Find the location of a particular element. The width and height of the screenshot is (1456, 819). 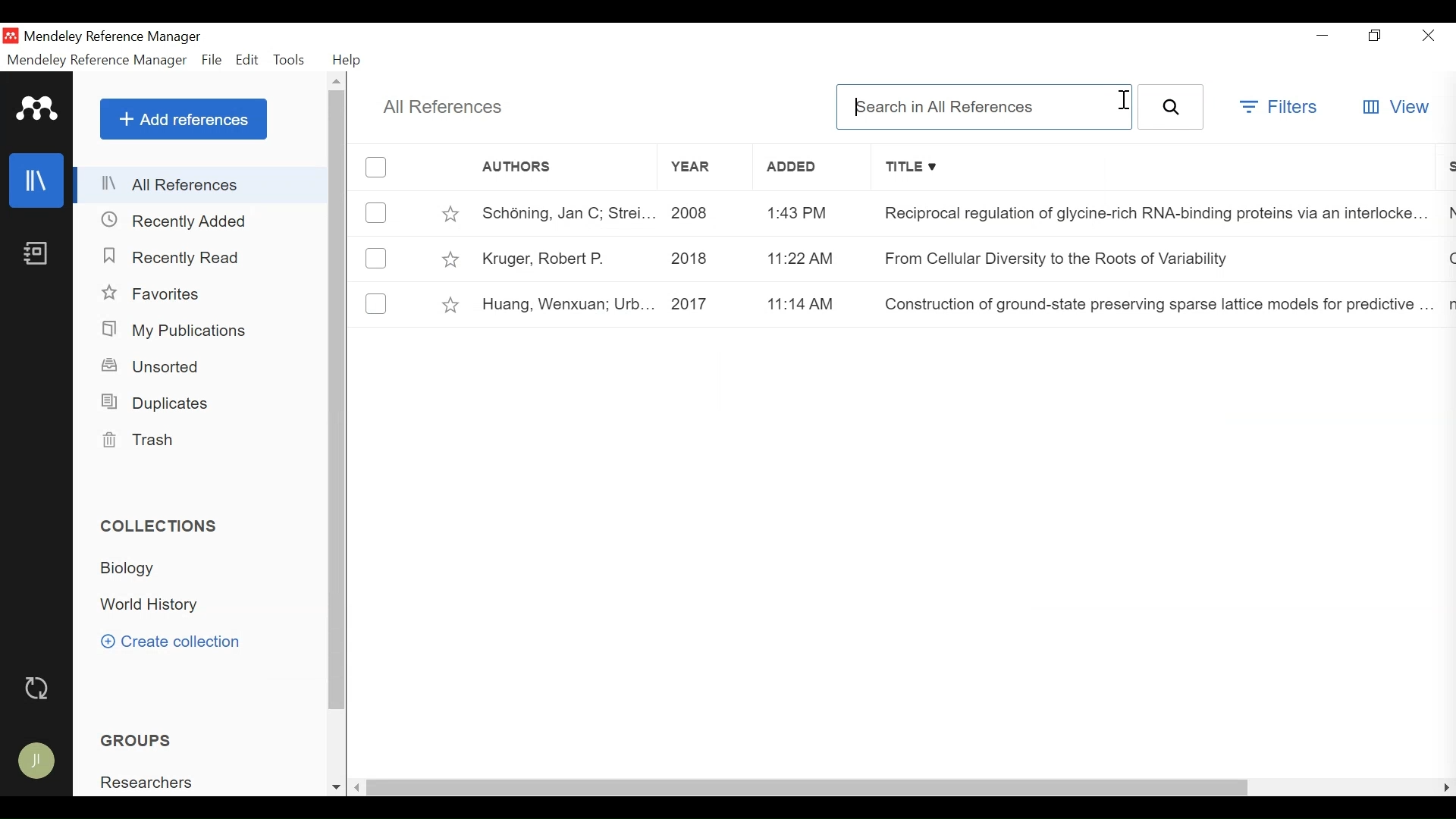

All References is located at coordinates (201, 184).